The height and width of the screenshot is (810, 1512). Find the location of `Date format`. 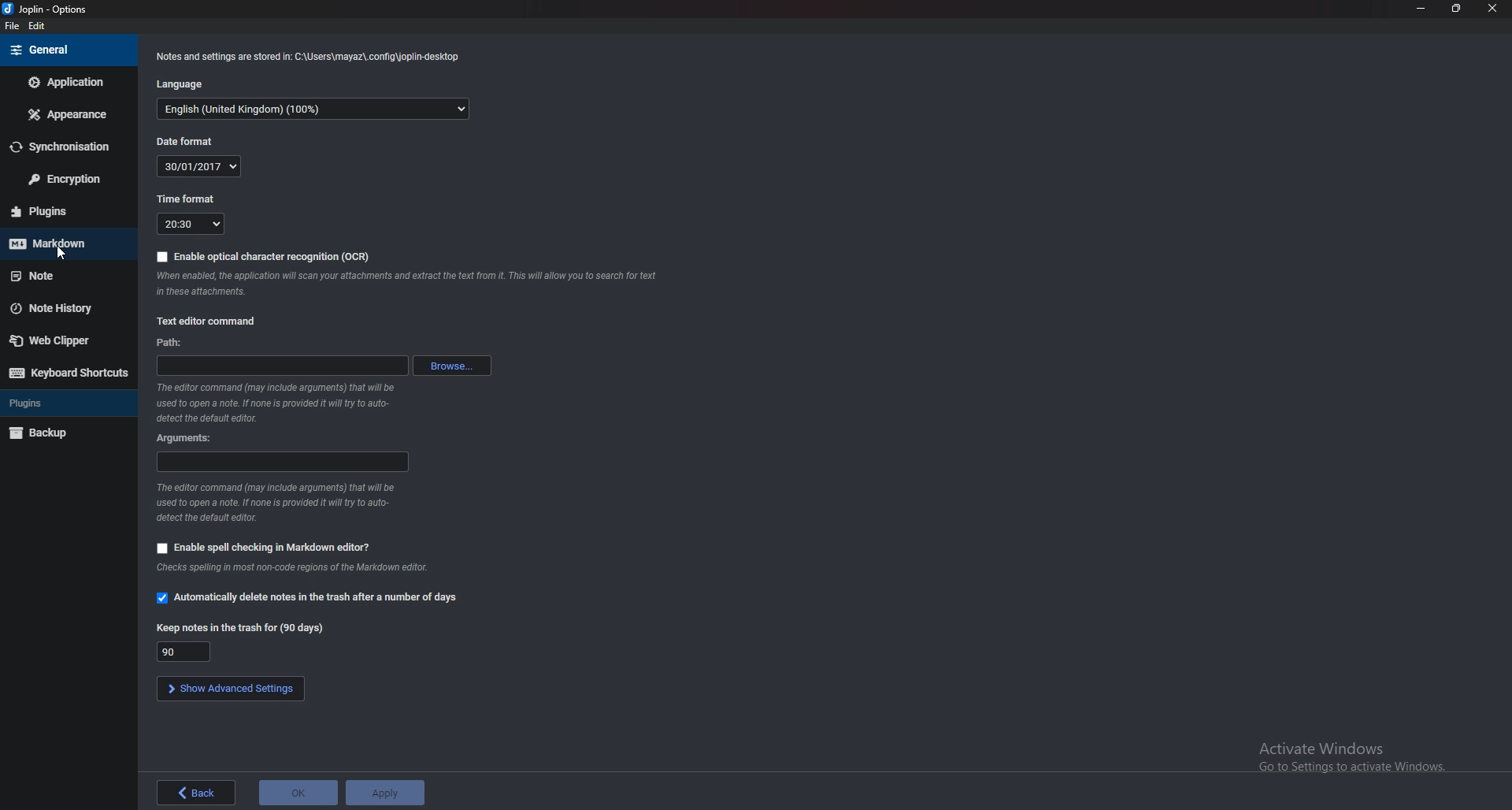

Date format is located at coordinates (200, 165).